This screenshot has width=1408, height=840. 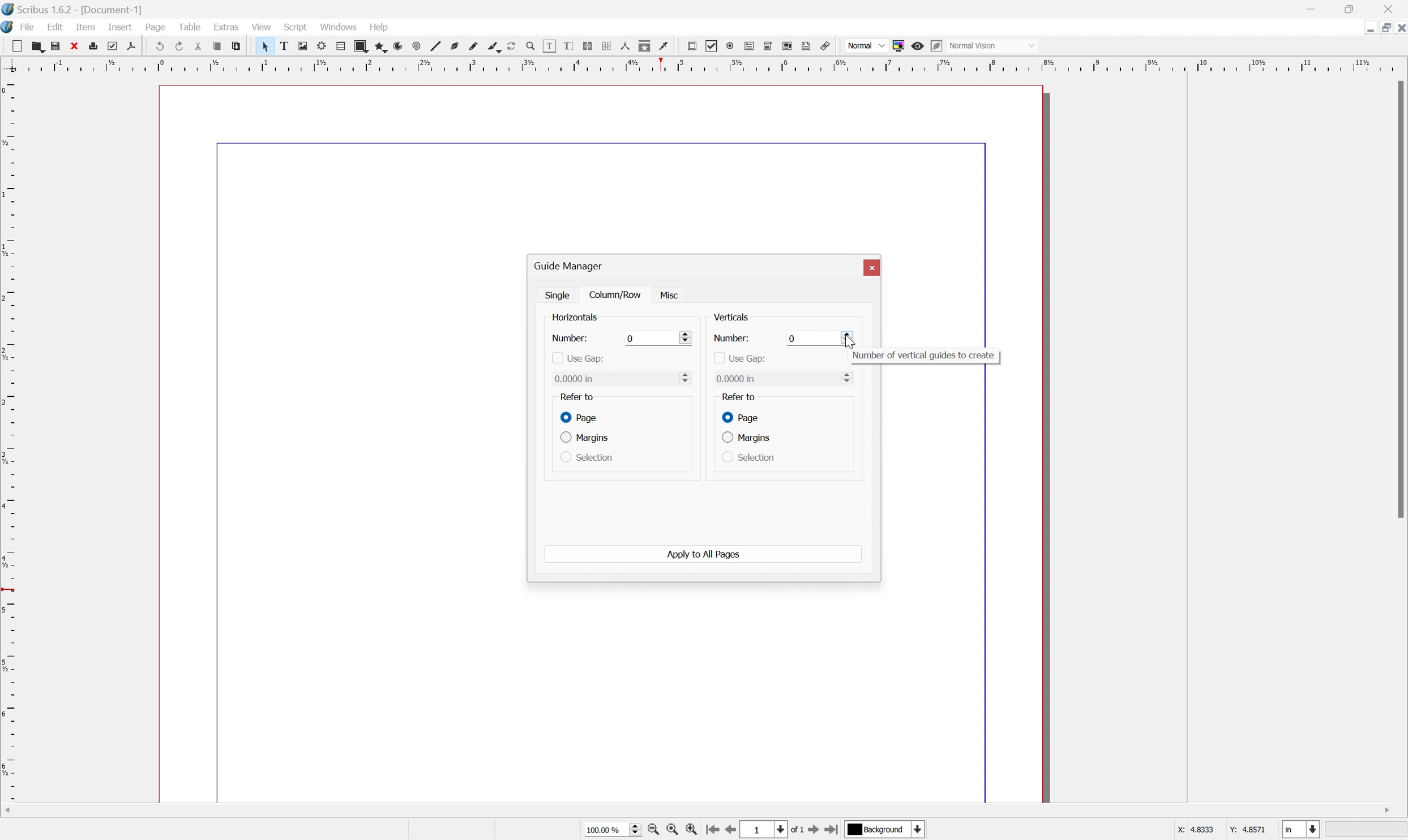 What do you see at coordinates (866, 45) in the screenshot?
I see `normal` at bounding box center [866, 45].